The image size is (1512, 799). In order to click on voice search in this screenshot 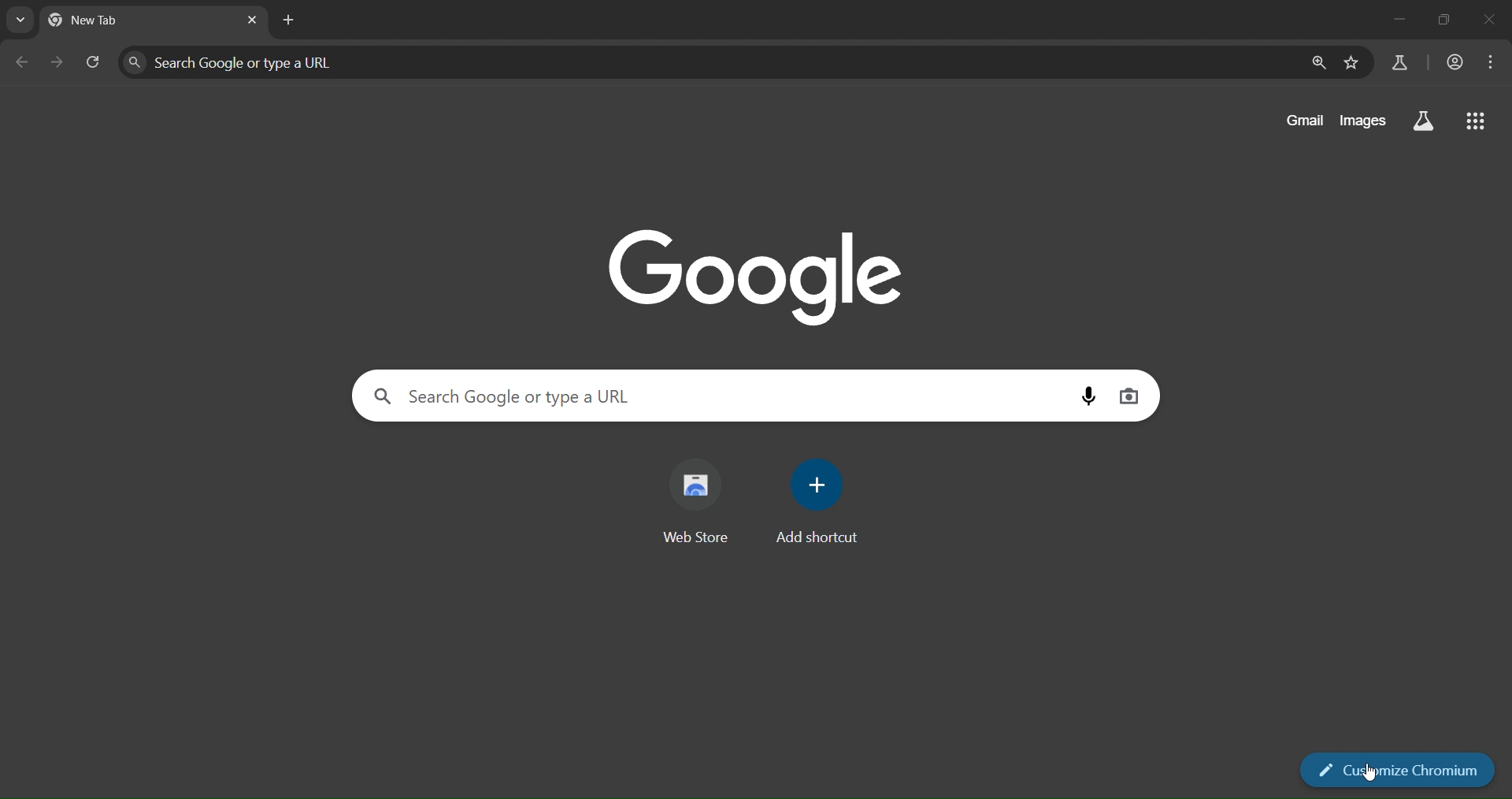, I will do `click(1088, 396)`.